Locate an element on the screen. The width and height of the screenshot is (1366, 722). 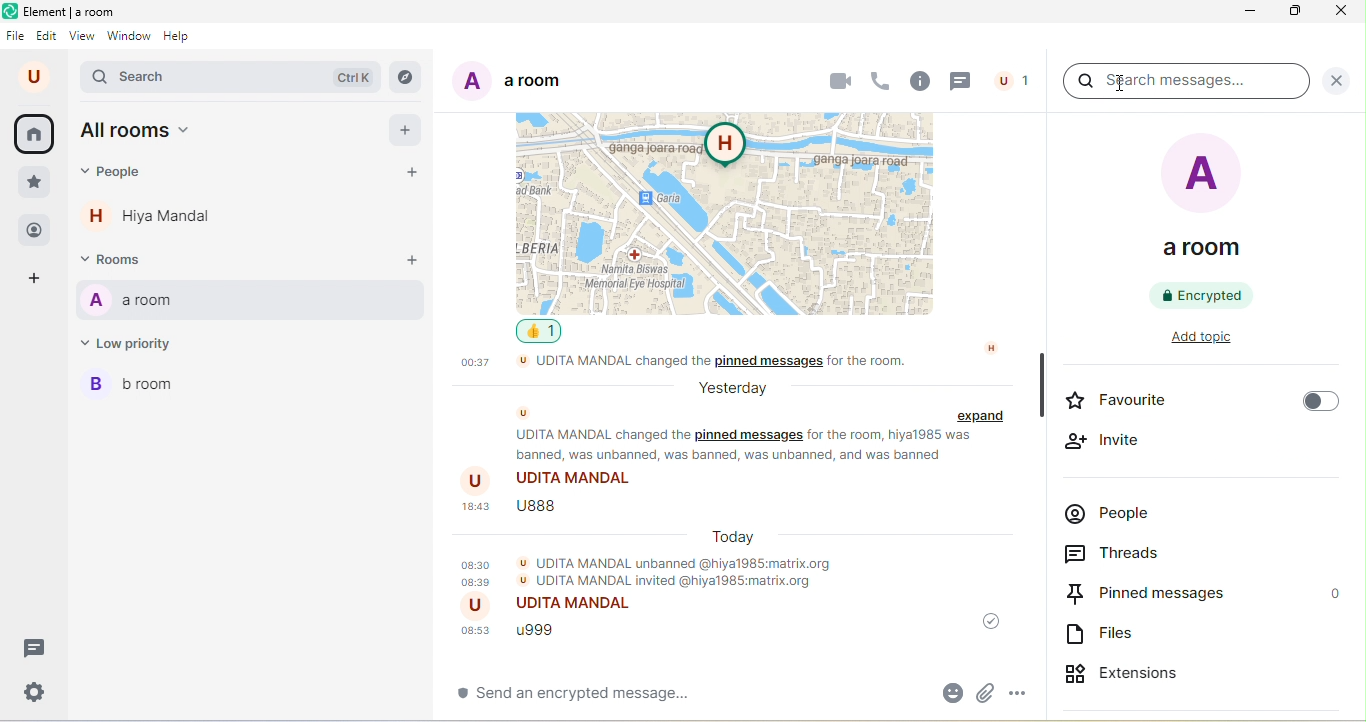
hiya mandal is located at coordinates (157, 220).